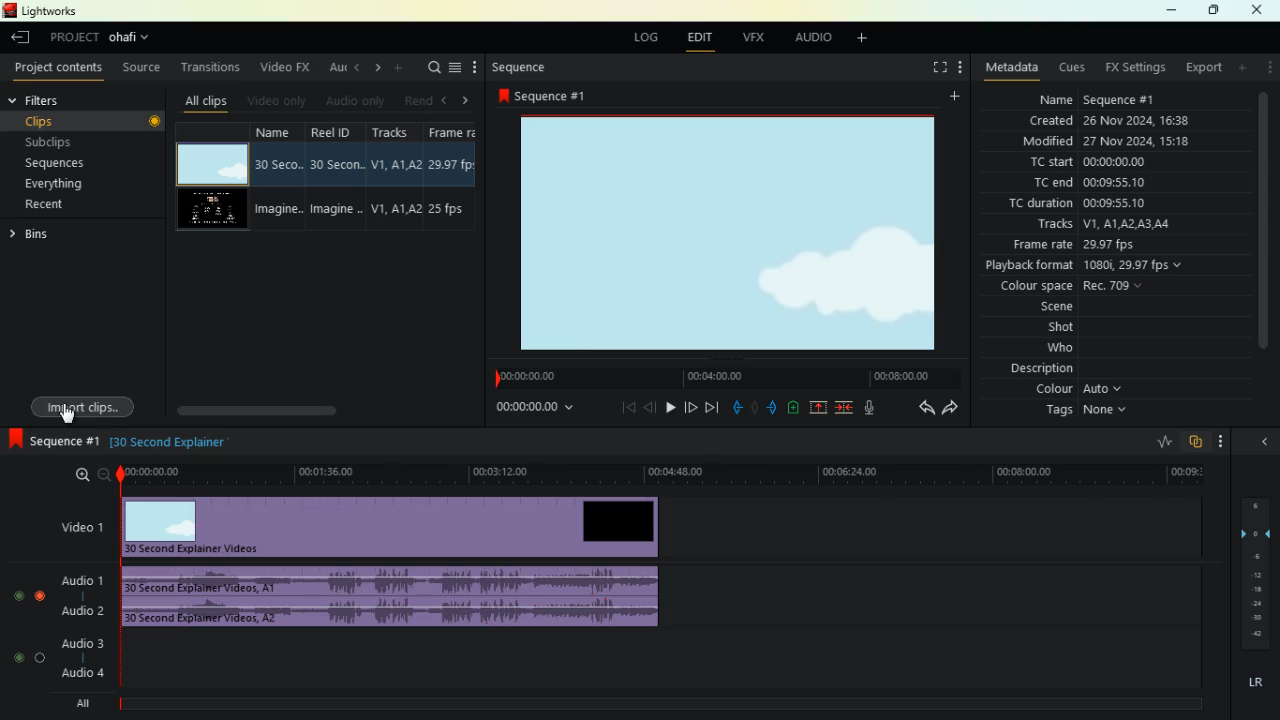 This screenshot has width=1280, height=720. What do you see at coordinates (358, 66) in the screenshot?
I see `left` at bounding box center [358, 66].